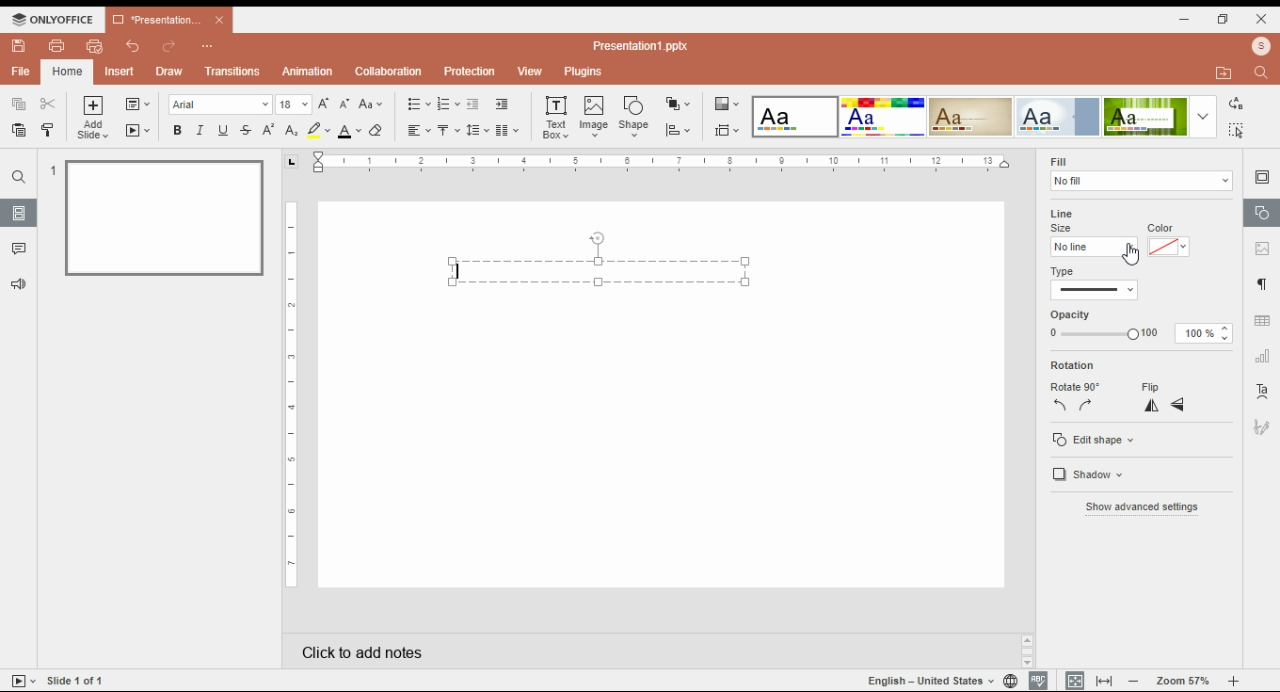  Describe the element at coordinates (602, 259) in the screenshot. I see `text box` at that location.